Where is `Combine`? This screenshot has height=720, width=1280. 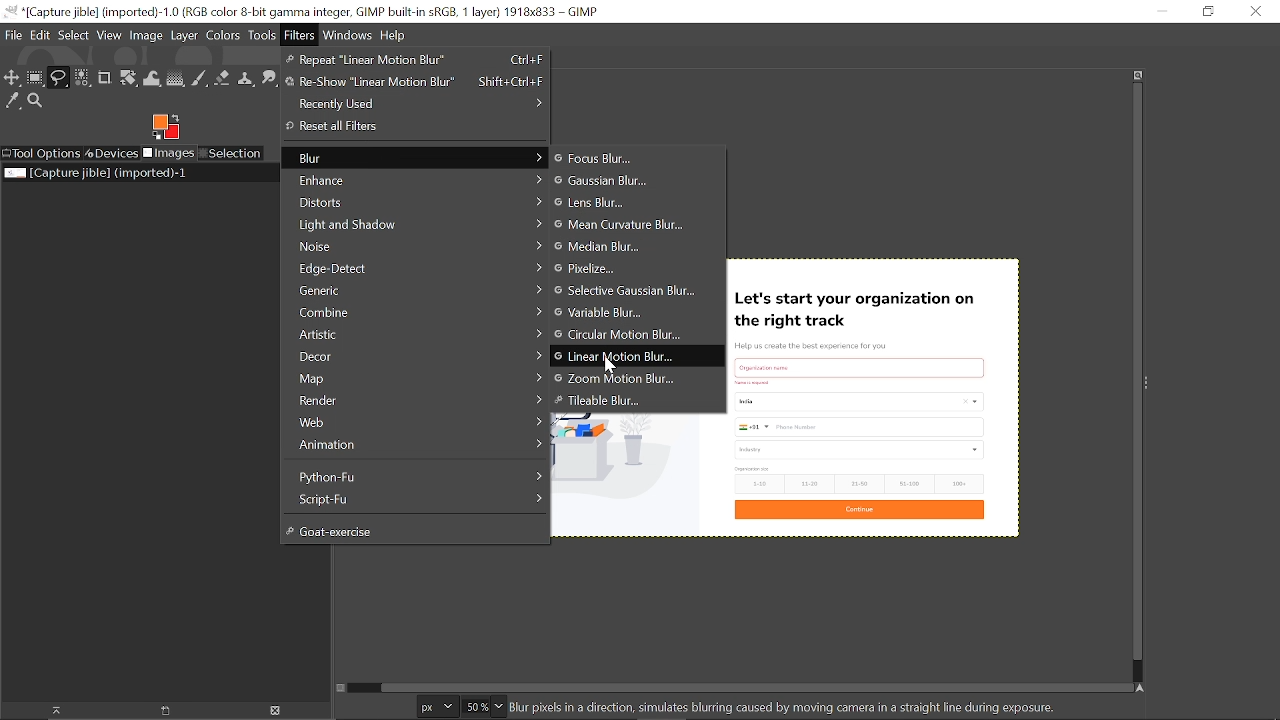 Combine is located at coordinates (412, 312).